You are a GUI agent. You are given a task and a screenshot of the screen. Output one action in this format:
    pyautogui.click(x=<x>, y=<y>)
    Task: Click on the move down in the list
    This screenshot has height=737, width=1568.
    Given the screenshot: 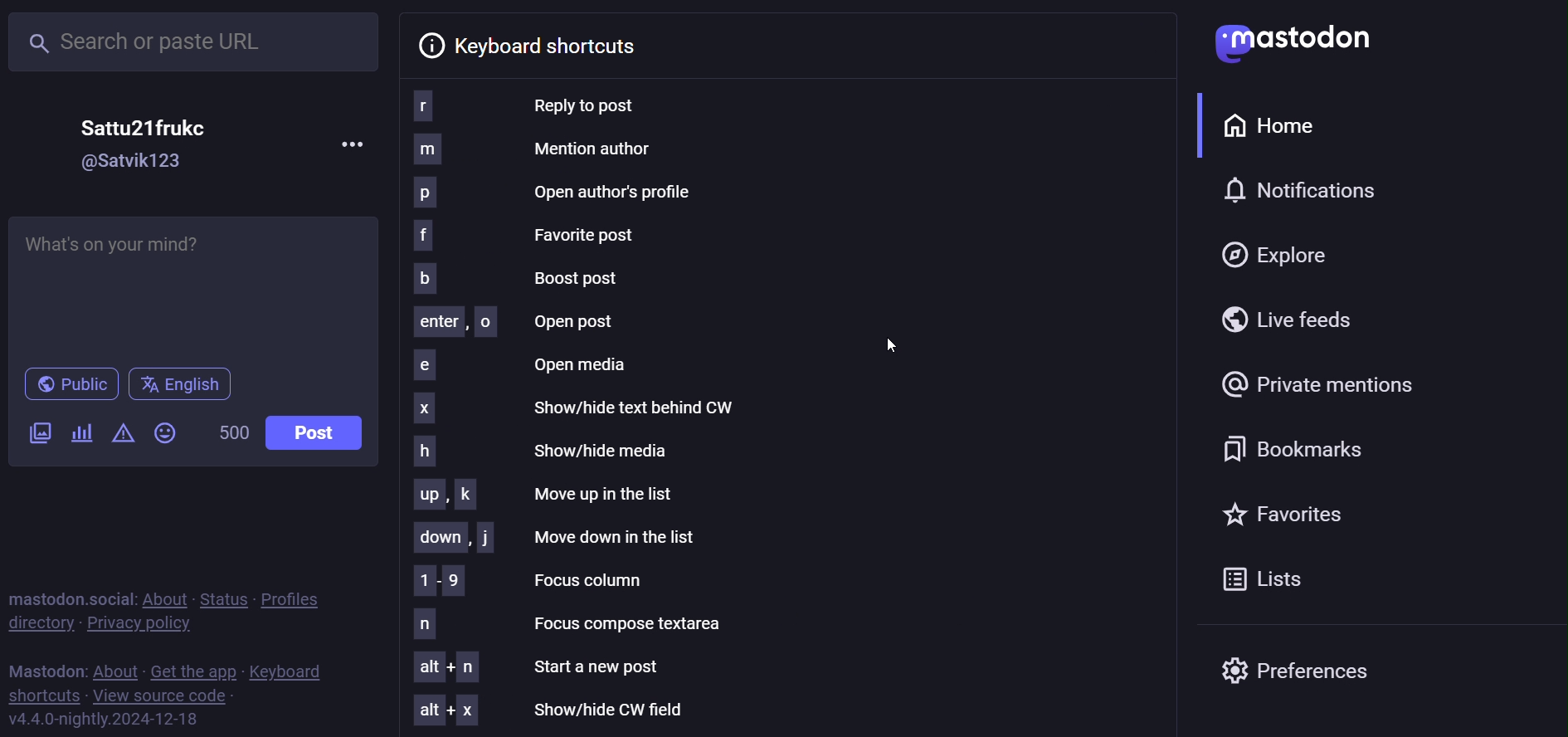 What is the action you would take?
    pyautogui.click(x=556, y=536)
    